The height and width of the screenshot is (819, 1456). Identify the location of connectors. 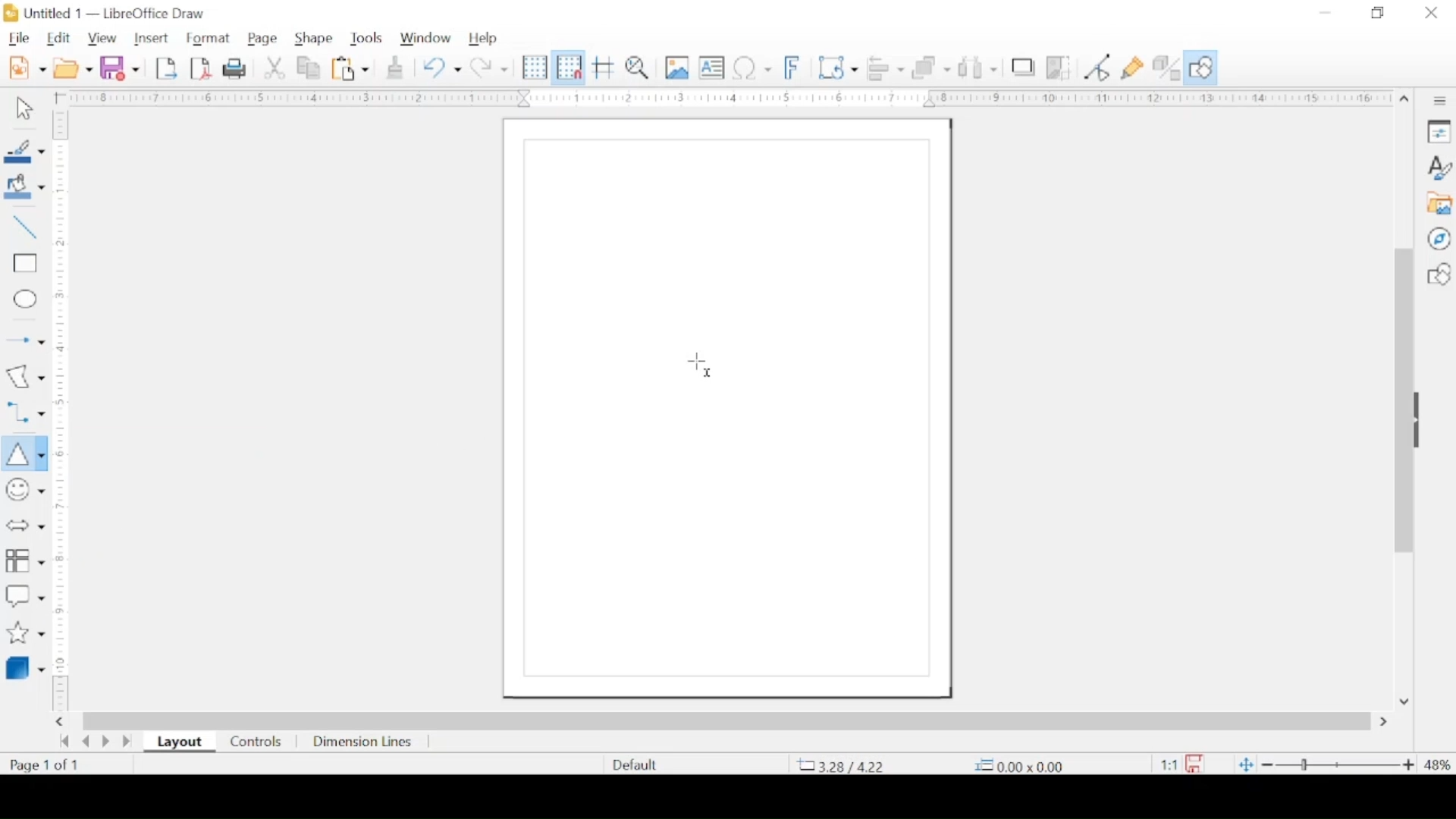
(24, 410).